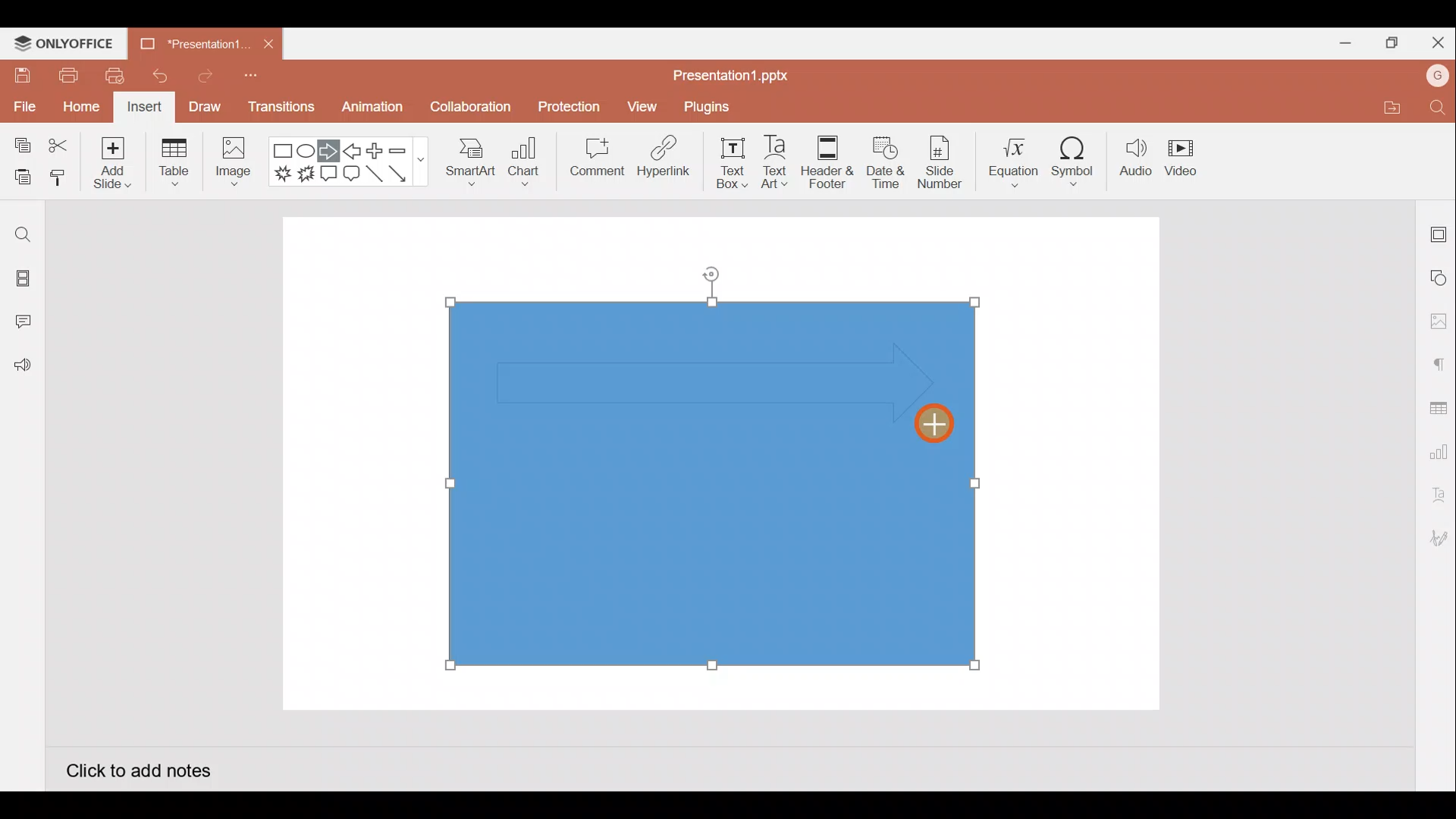 Image resolution: width=1456 pixels, height=819 pixels. What do you see at coordinates (736, 71) in the screenshot?
I see `Presentation1.pptx` at bounding box center [736, 71].